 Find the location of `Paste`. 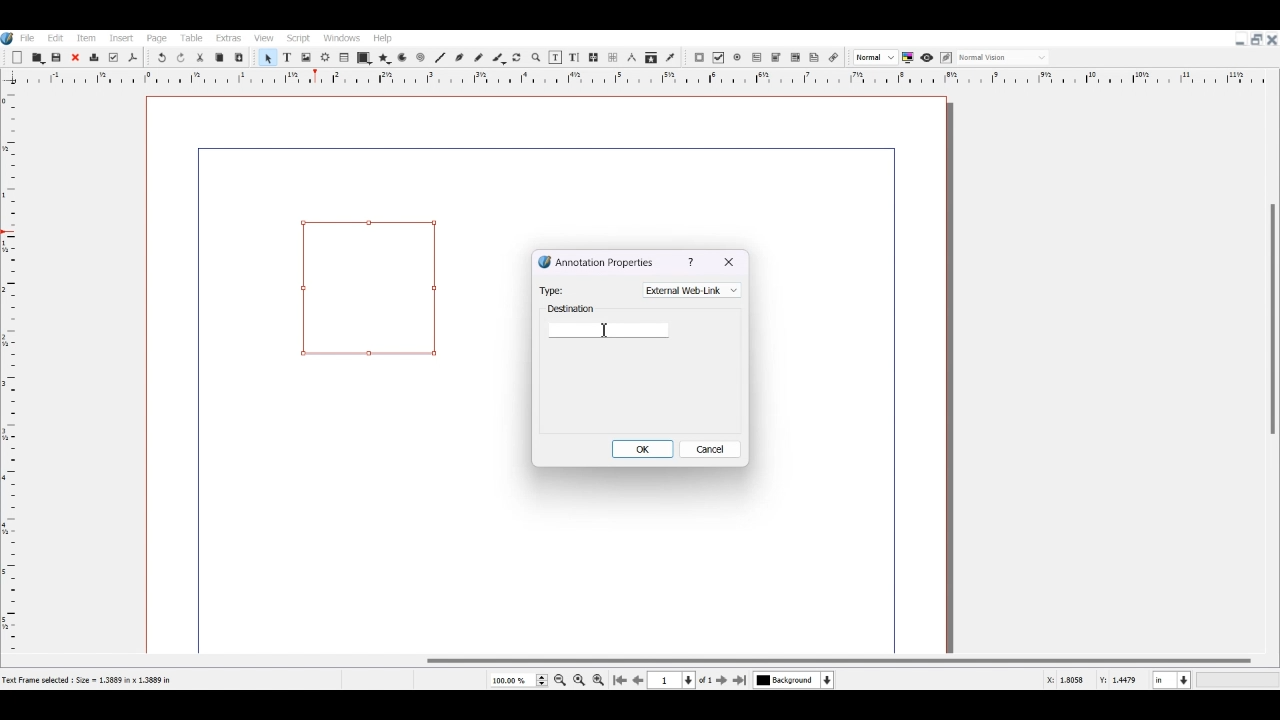

Paste is located at coordinates (239, 57).